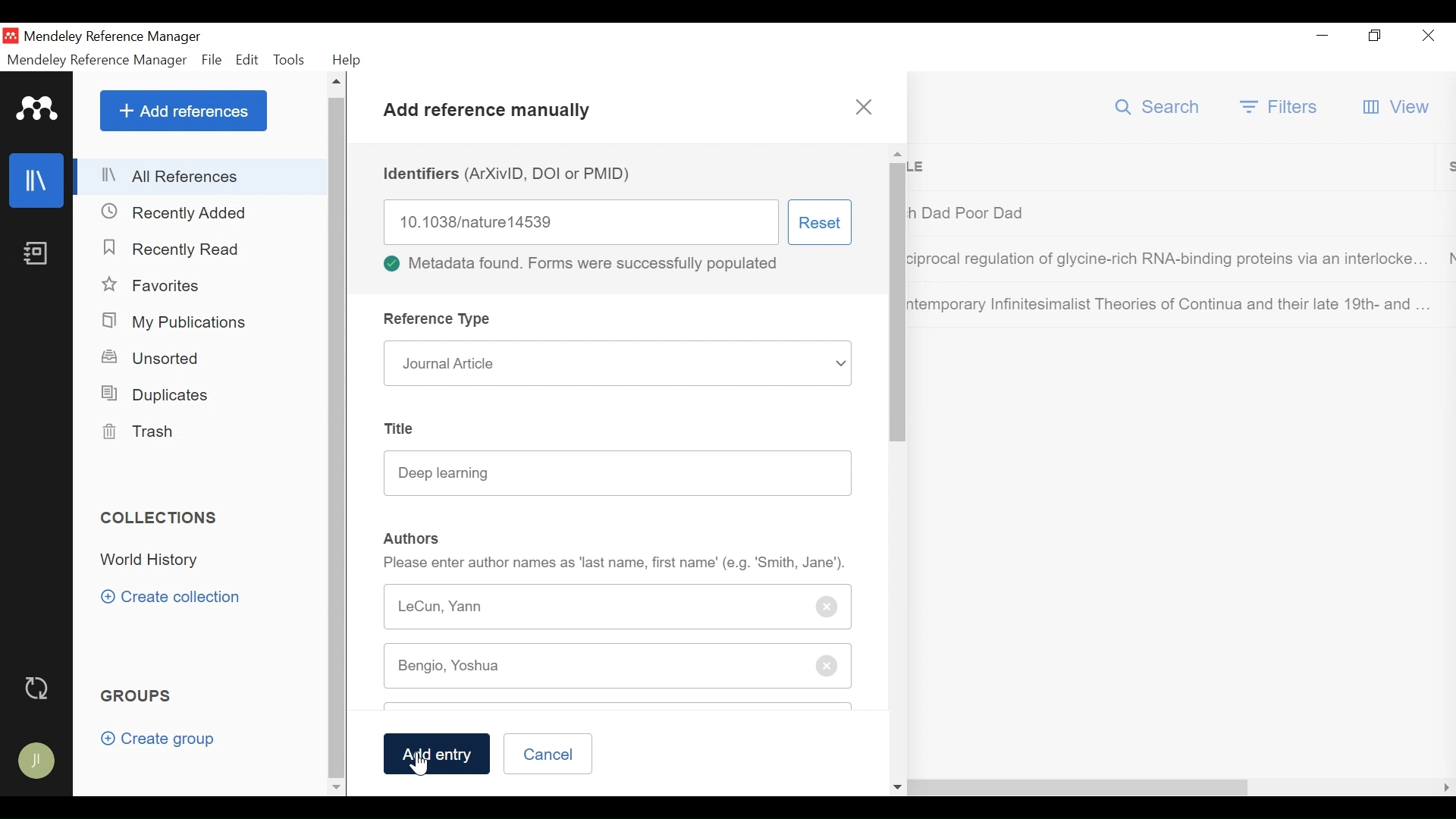 Image resolution: width=1456 pixels, height=819 pixels. Describe the element at coordinates (347, 60) in the screenshot. I see `Help` at that location.